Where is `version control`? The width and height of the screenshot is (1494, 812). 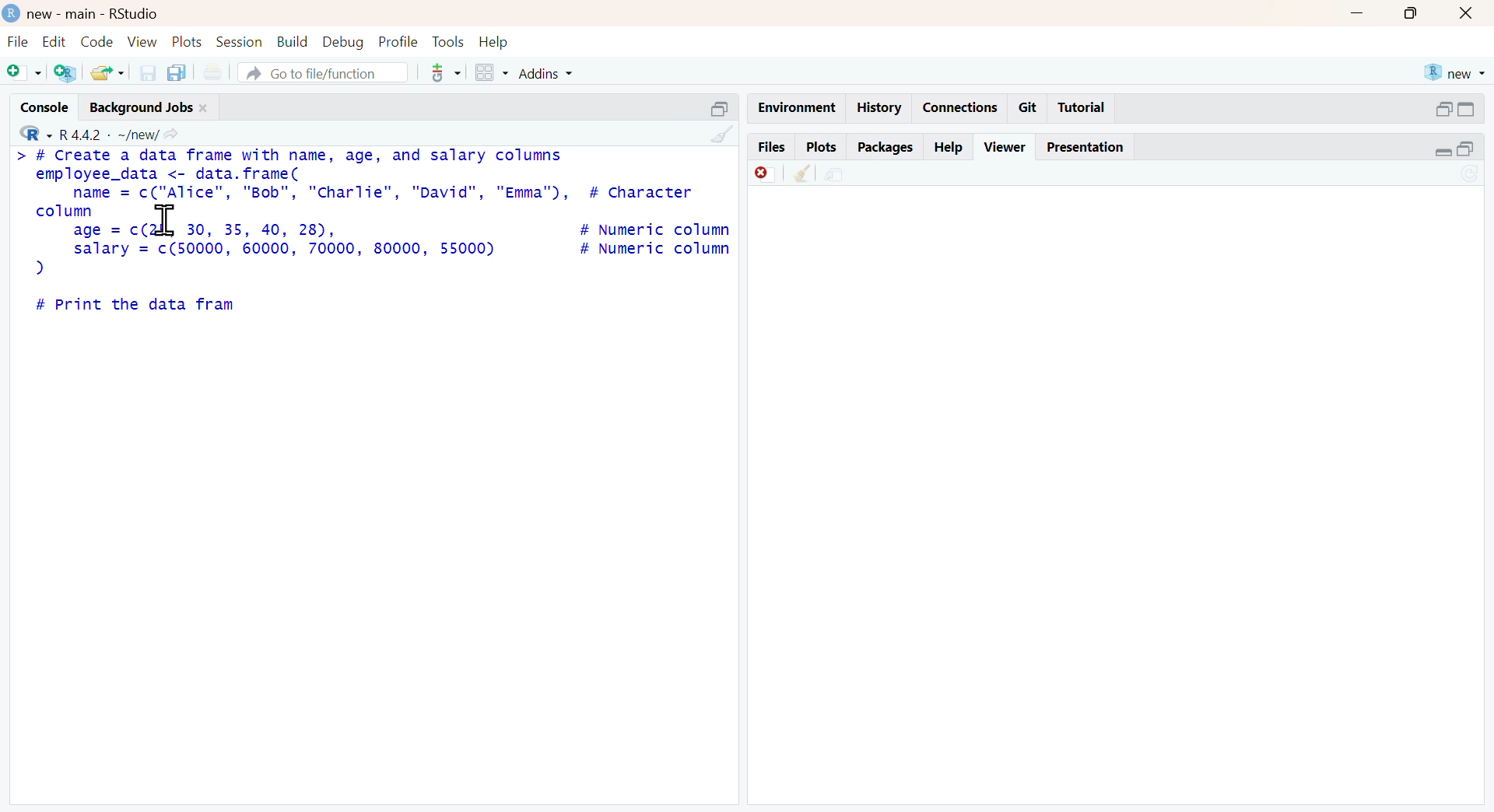 version control is located at coordinates (437, 73).